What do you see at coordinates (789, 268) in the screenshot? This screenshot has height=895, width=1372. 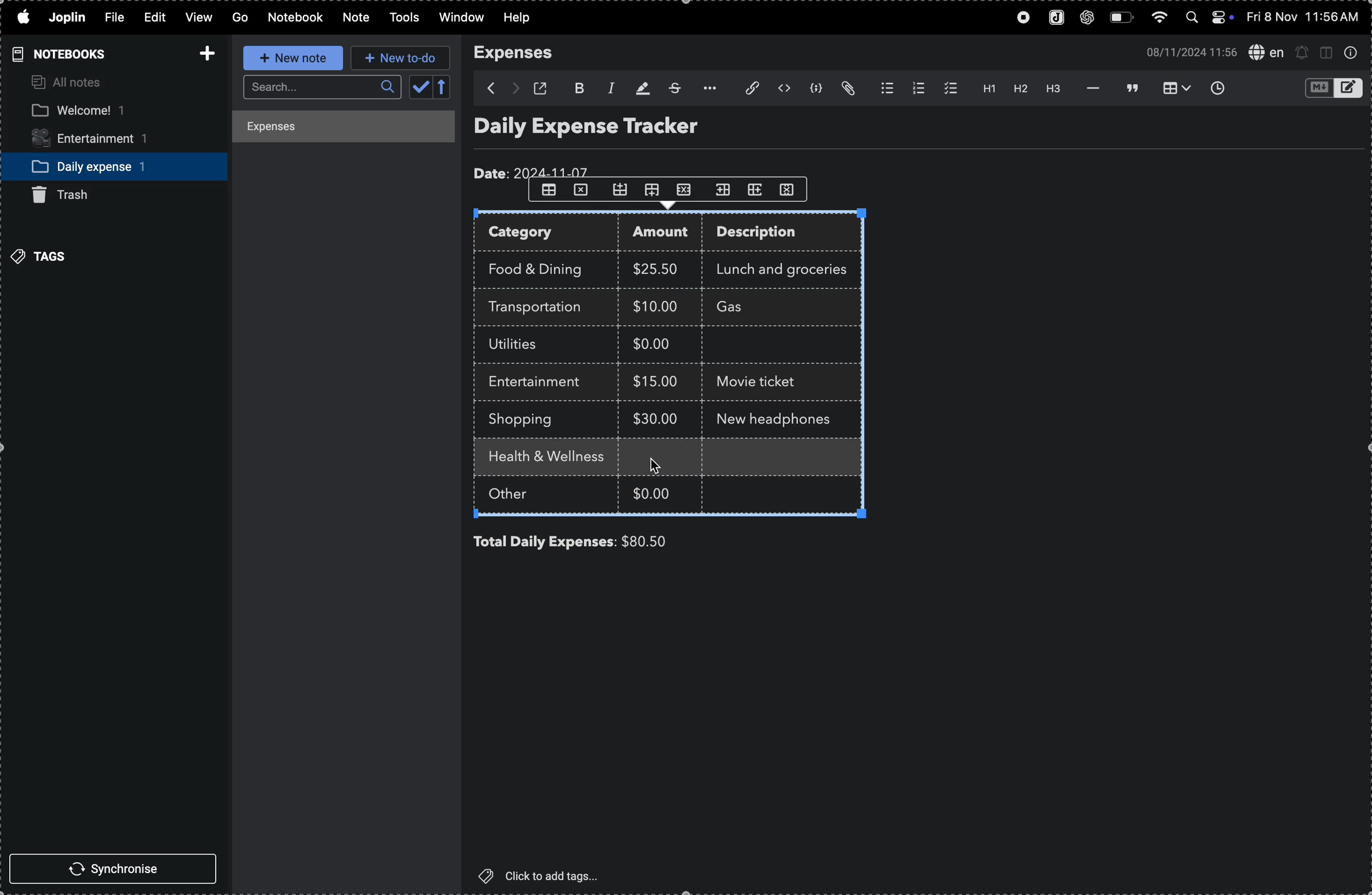 I see `lunch and groceries` at bounding box center [789, 268].